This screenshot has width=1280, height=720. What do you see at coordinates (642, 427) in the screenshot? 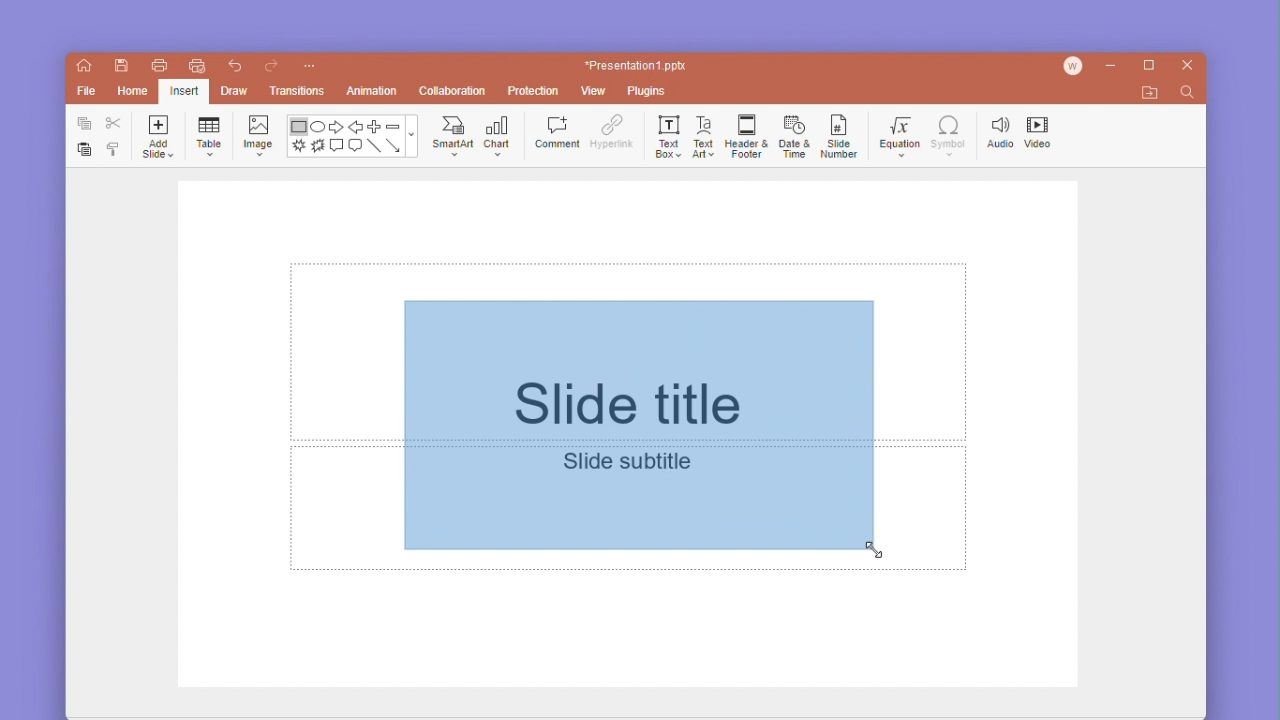
I see `highlighted` at bounding box center [642, 427].